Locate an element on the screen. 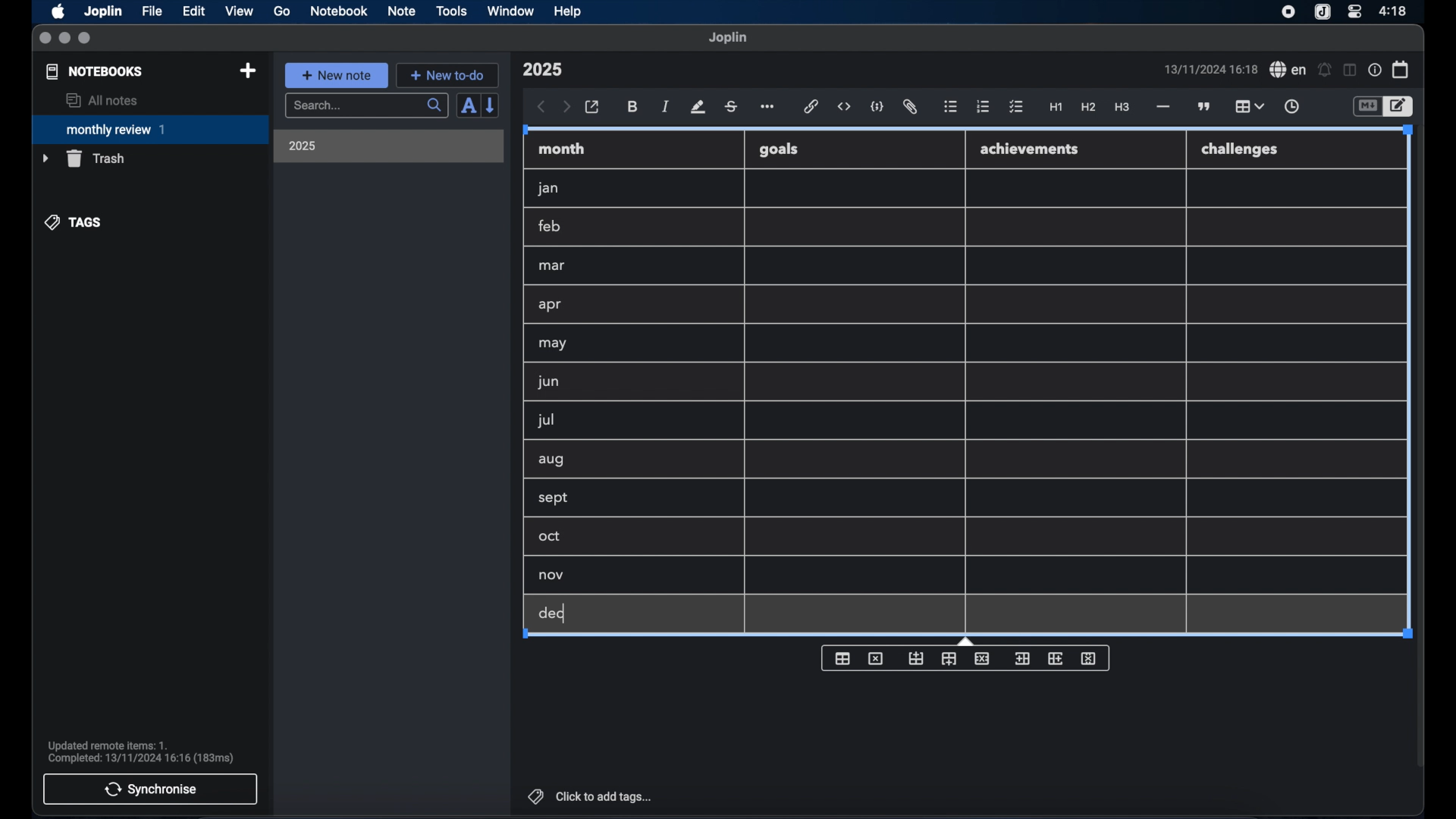 This screenshot has height=819, width=1456. apple icon is located at coordinates (57, 11).